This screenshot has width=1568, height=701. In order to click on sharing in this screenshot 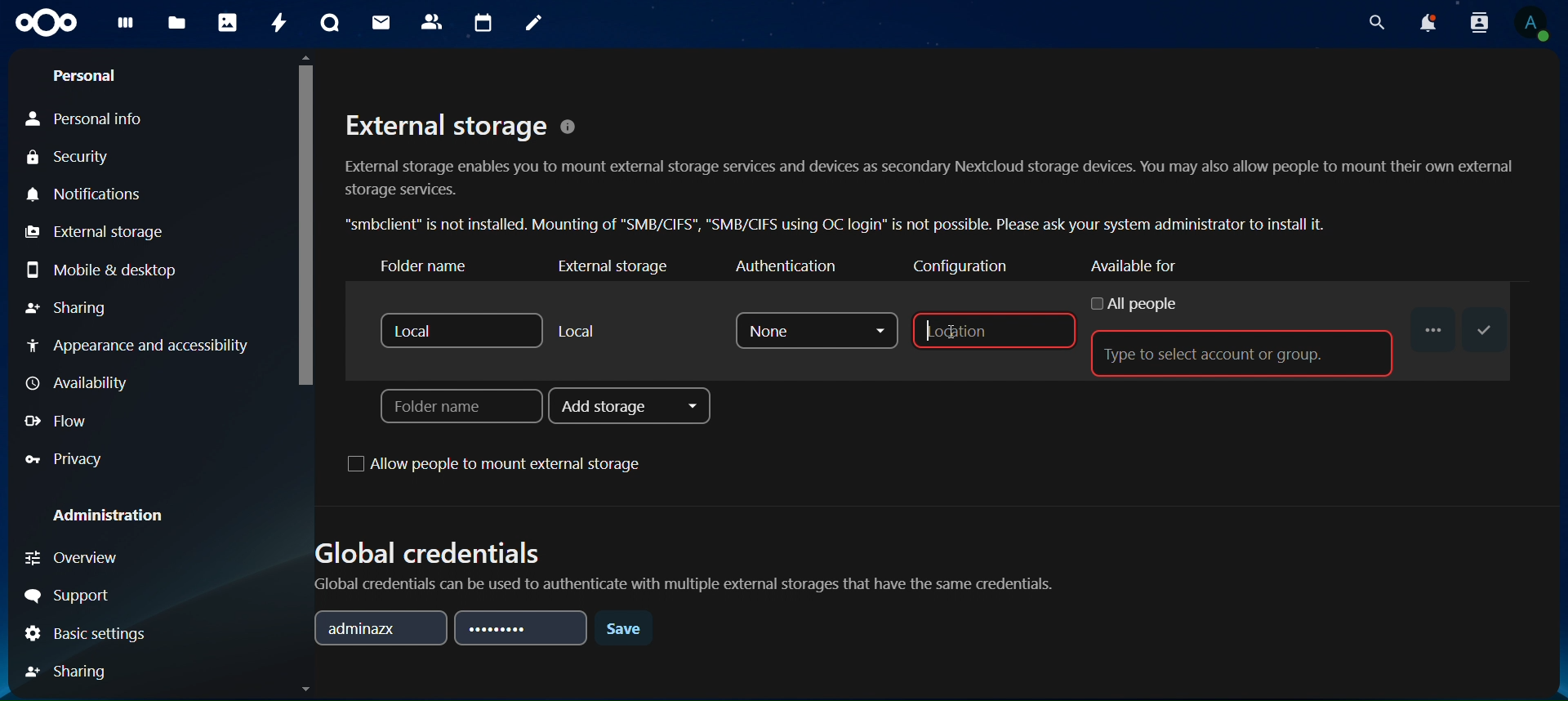, I will do `click(72, 671)`.